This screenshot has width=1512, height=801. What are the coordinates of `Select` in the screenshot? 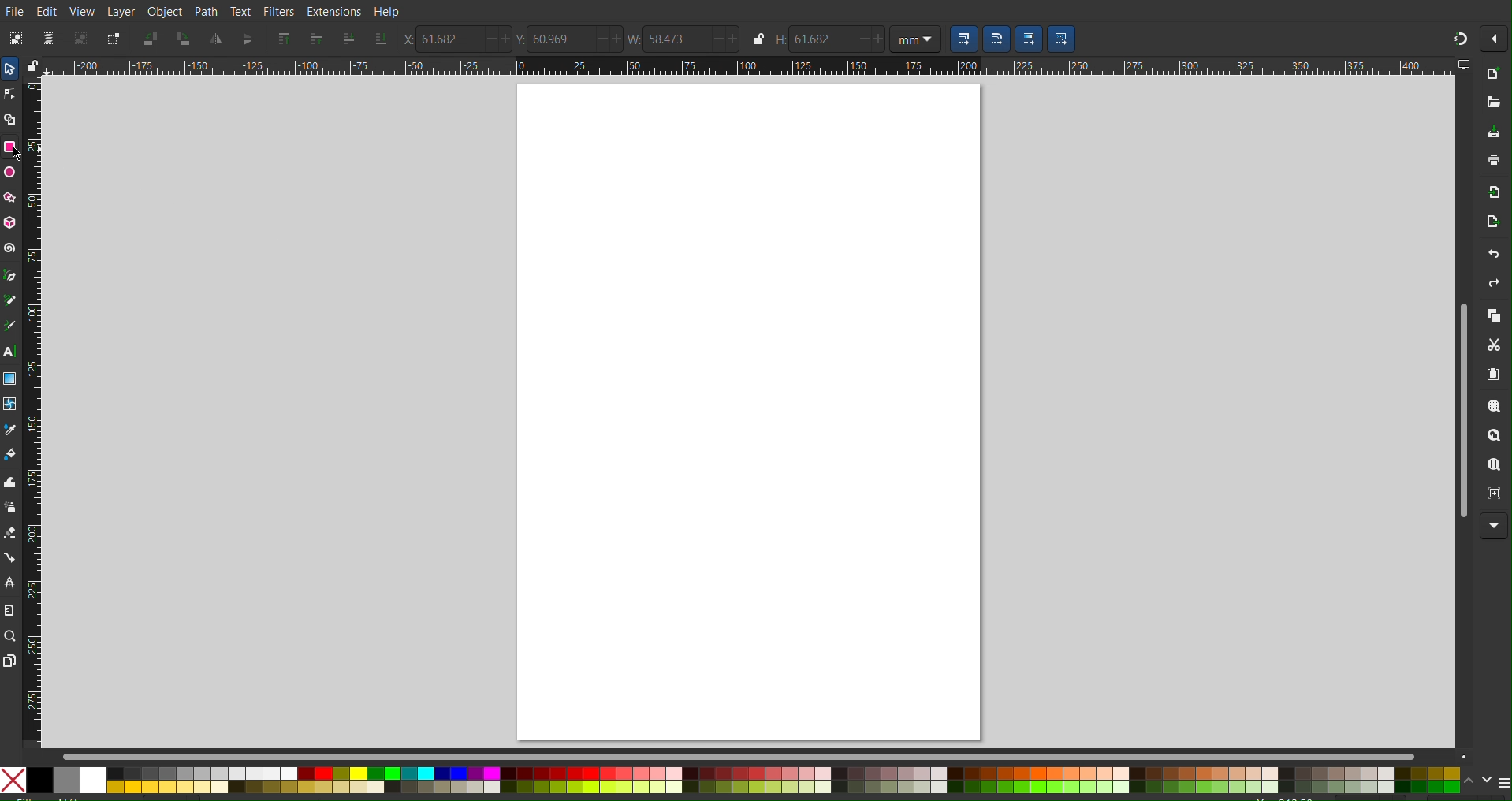 It's located at (9, 68).